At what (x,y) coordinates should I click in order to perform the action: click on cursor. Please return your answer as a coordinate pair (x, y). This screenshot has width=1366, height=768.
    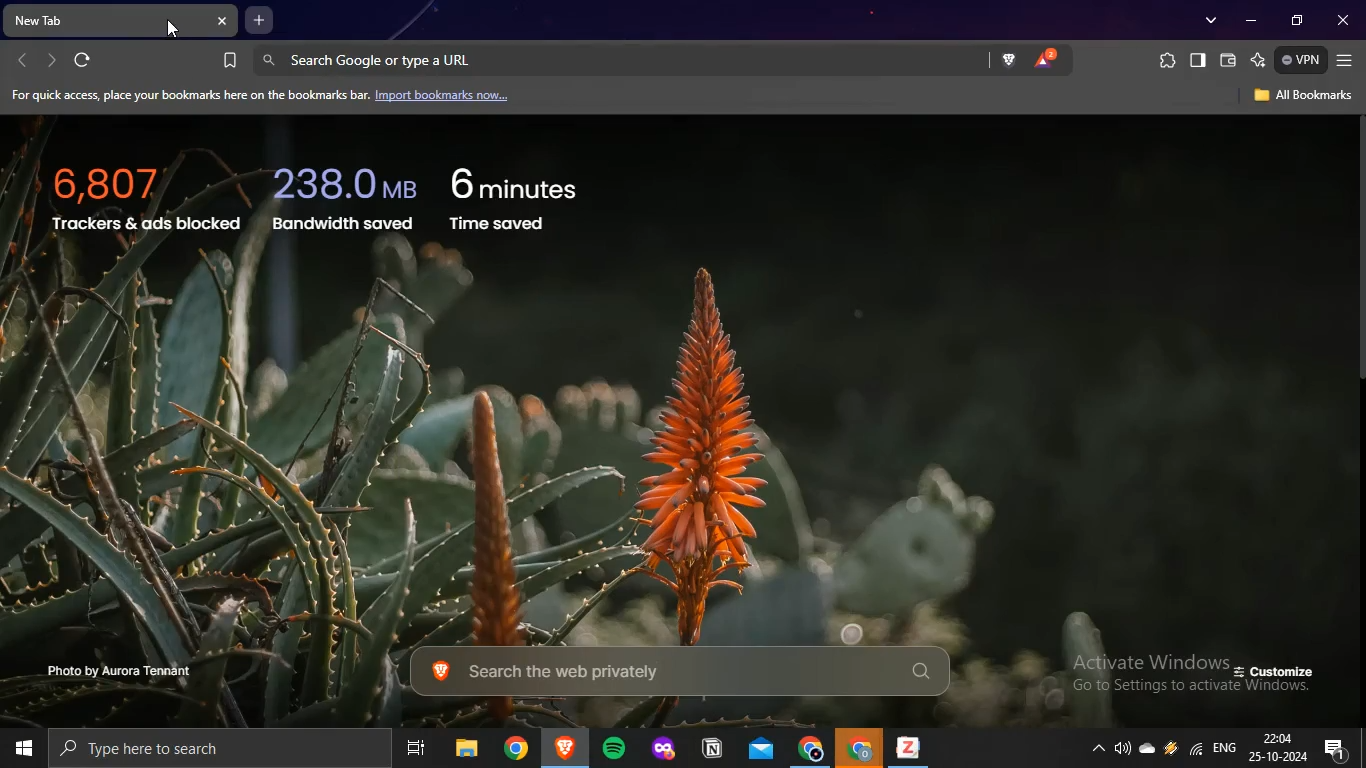
    Looking at the image, I should click on (172, 34).